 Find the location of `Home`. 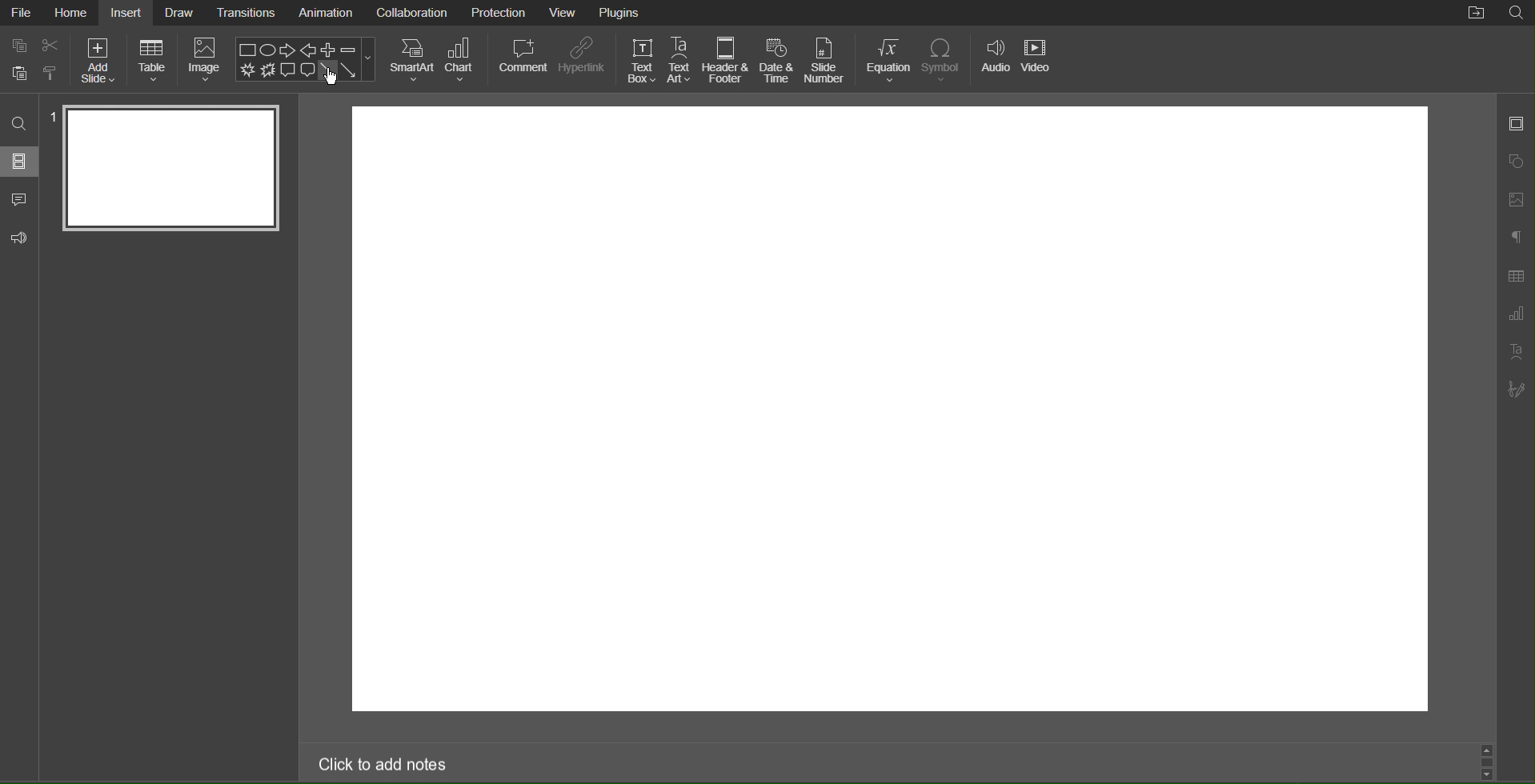

Home is located at coordinates (72, 12).